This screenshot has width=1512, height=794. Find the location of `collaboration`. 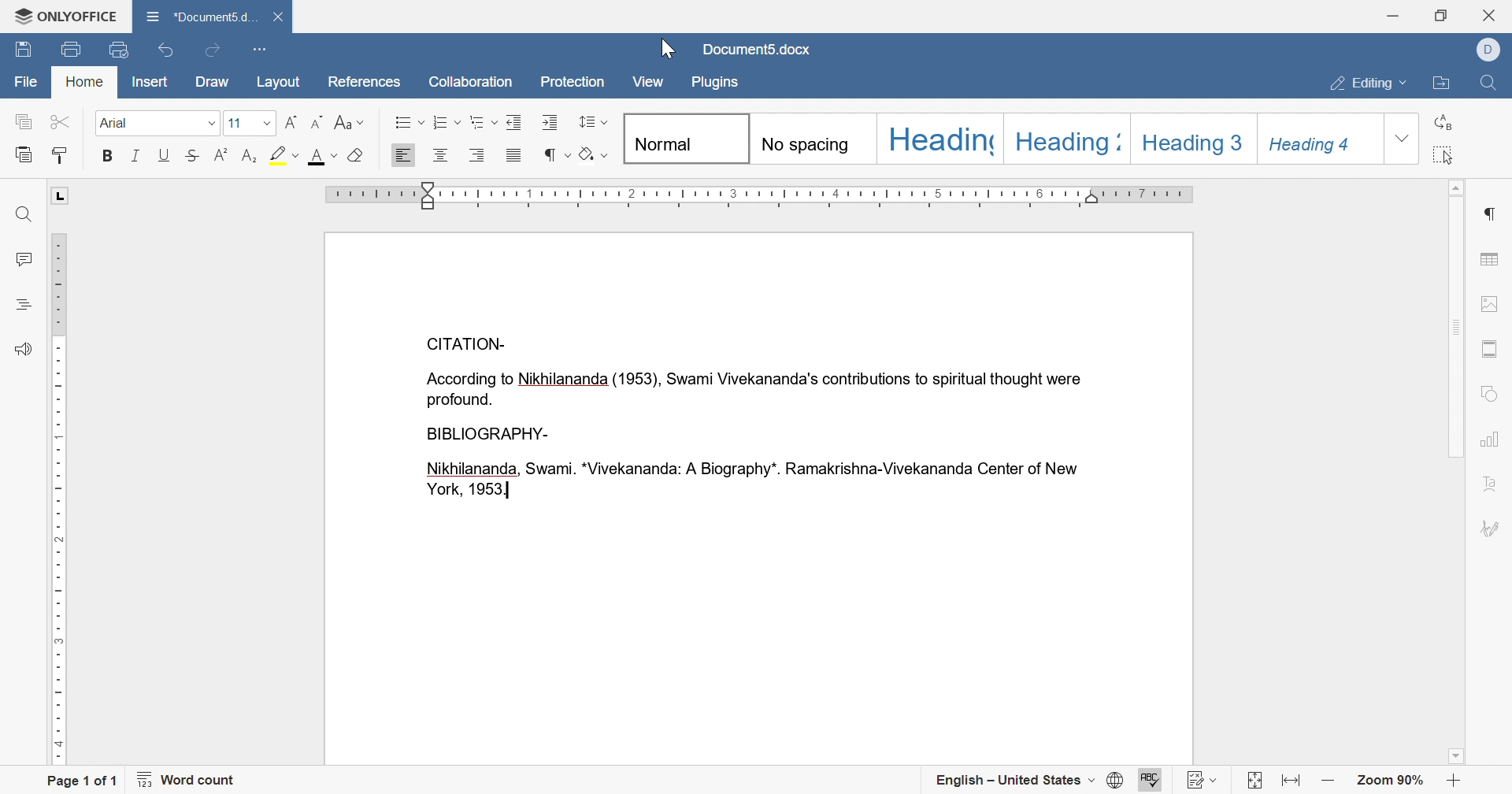

collaboration is located at coordinates (471, 83).